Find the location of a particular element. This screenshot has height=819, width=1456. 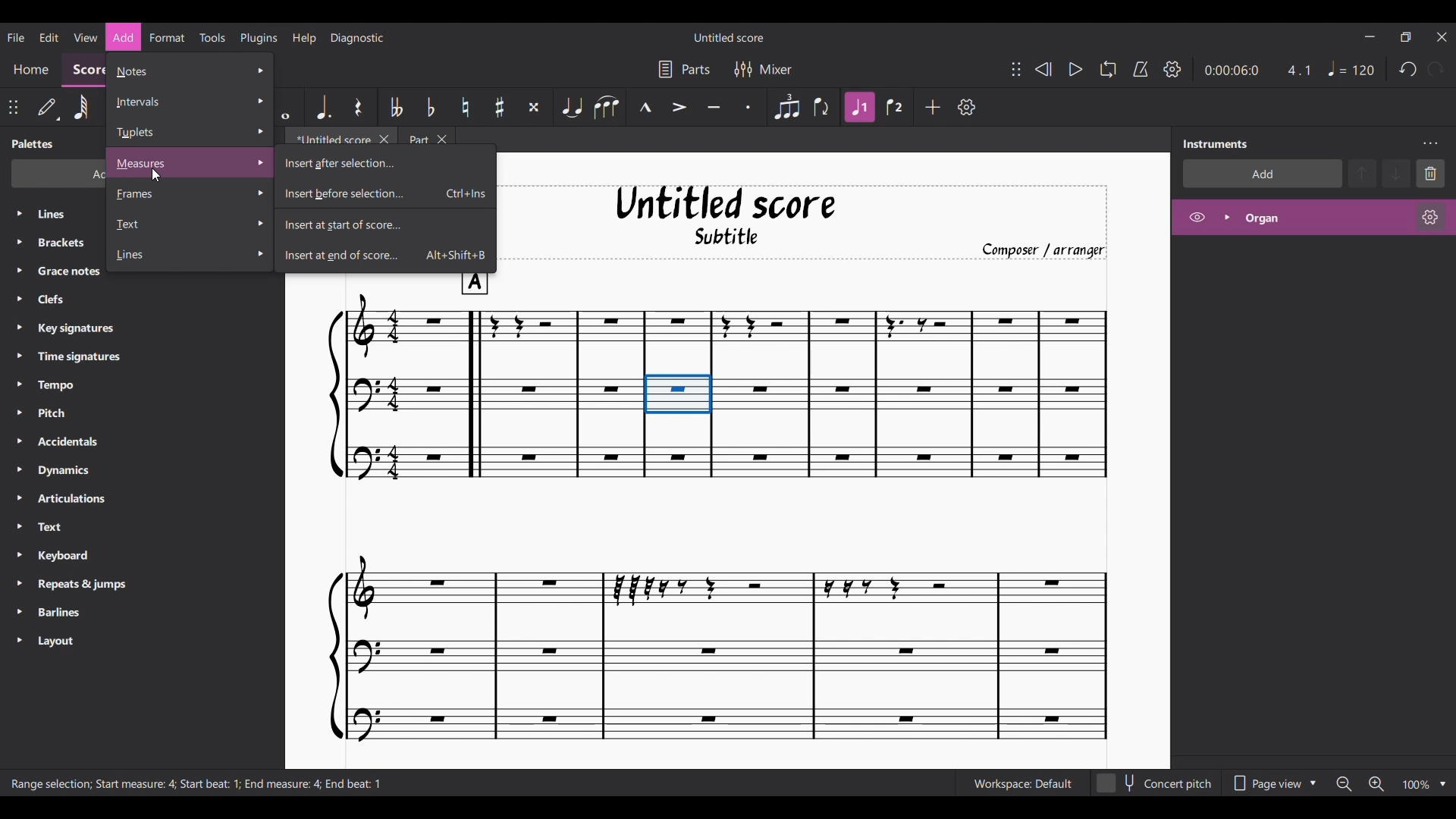

Show interface in a smaller tab is located at coordinates (1405, 36).